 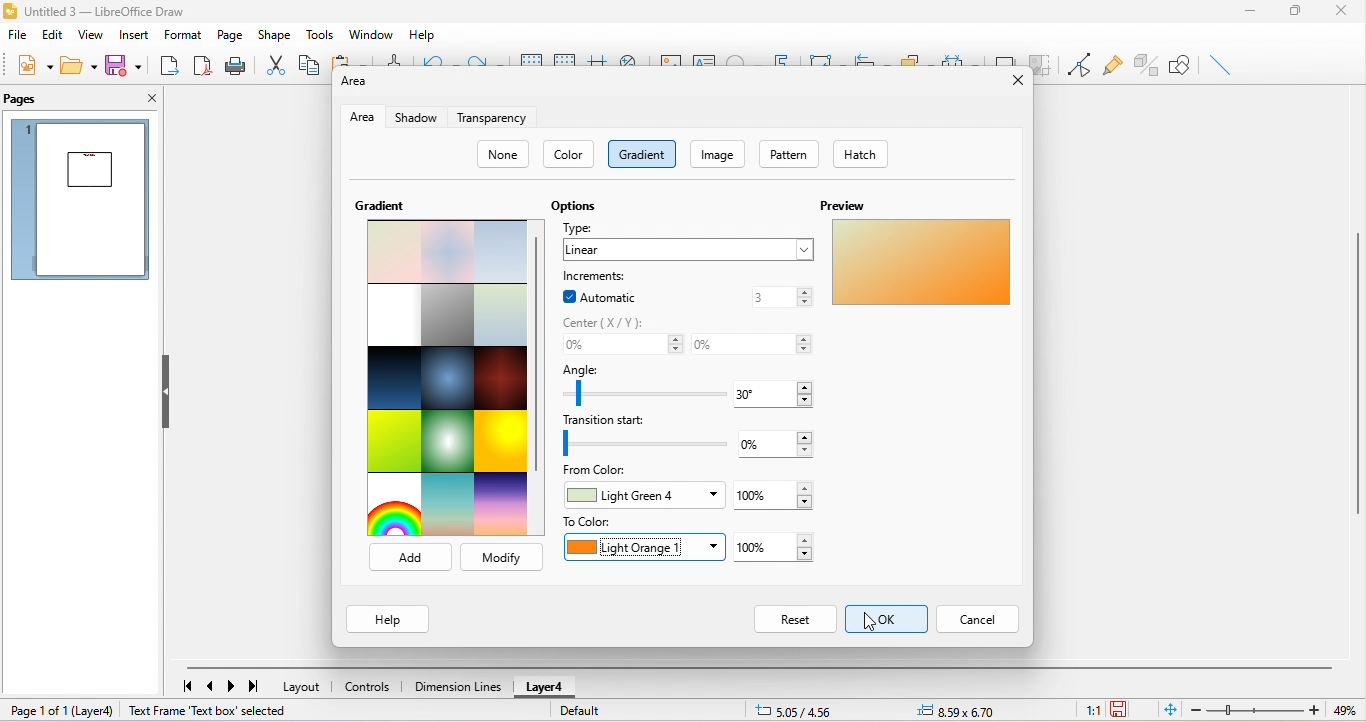 What do you see at coordinates (1112, 63) in the screenshot?
I see `glue point function` at bounding box center [1112, 63].